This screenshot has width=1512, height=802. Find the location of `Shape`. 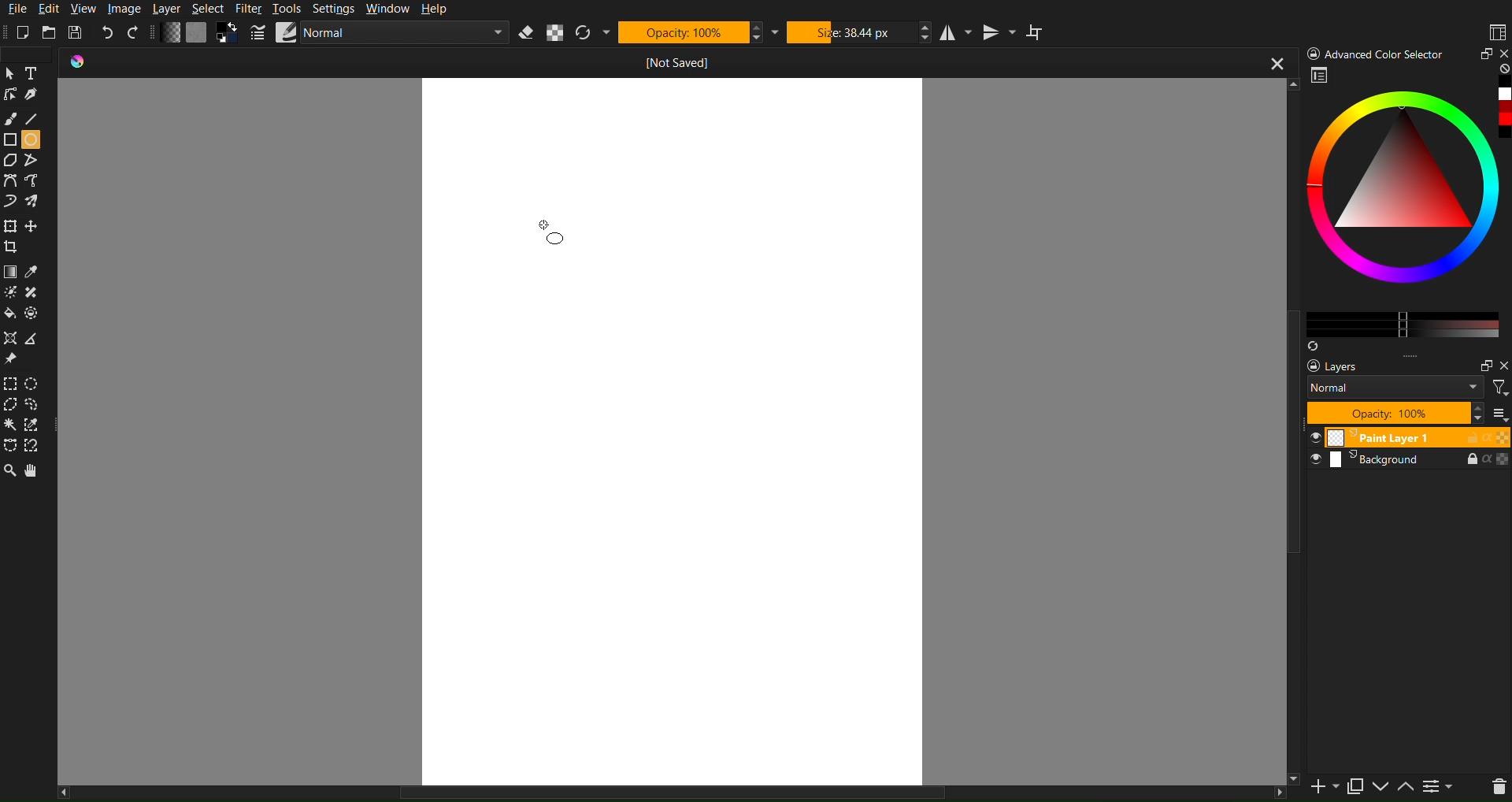

Shape is located at coordinates (9, 338).